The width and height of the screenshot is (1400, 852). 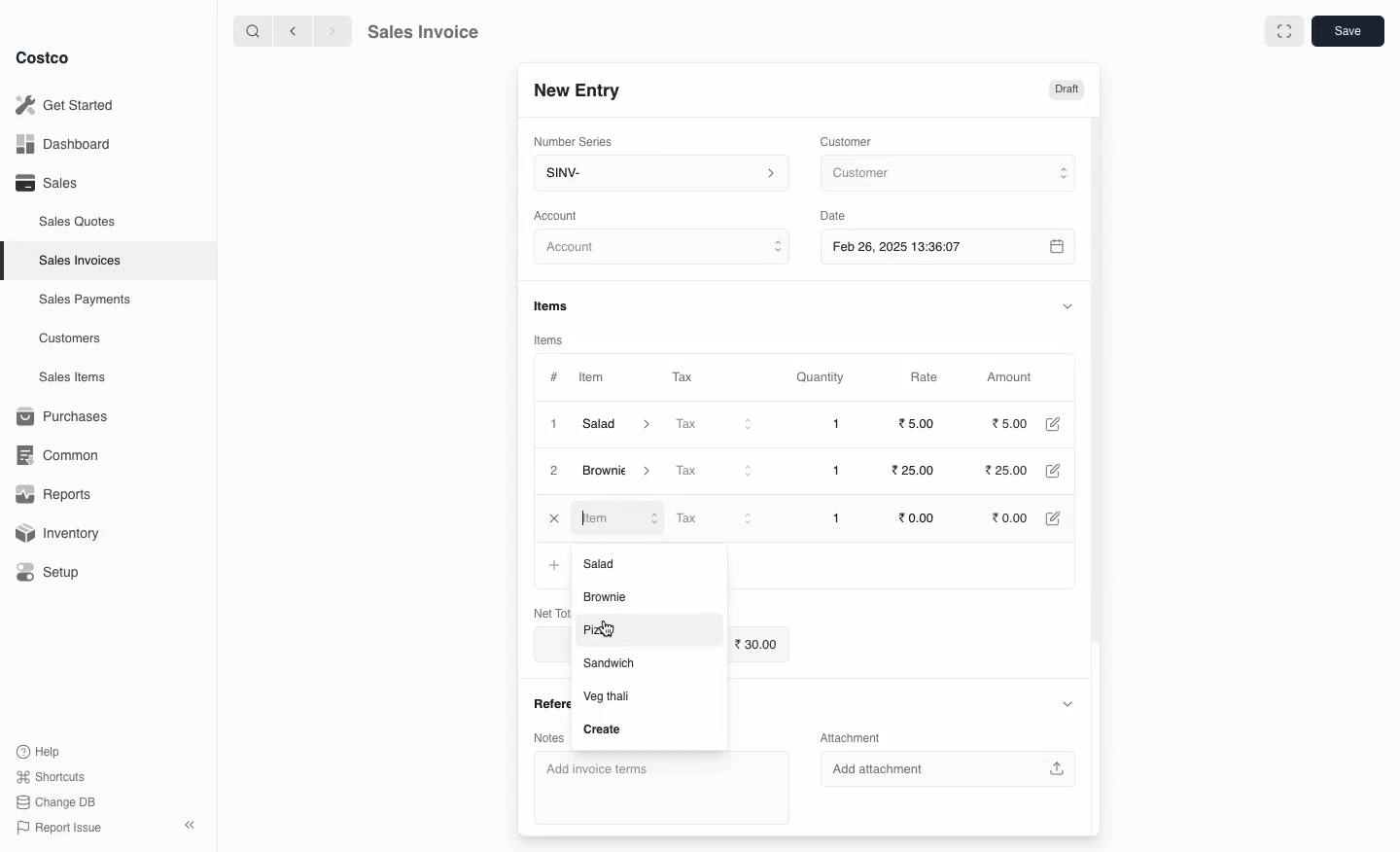 I want to click on cursor, so click(x=611, y=627).